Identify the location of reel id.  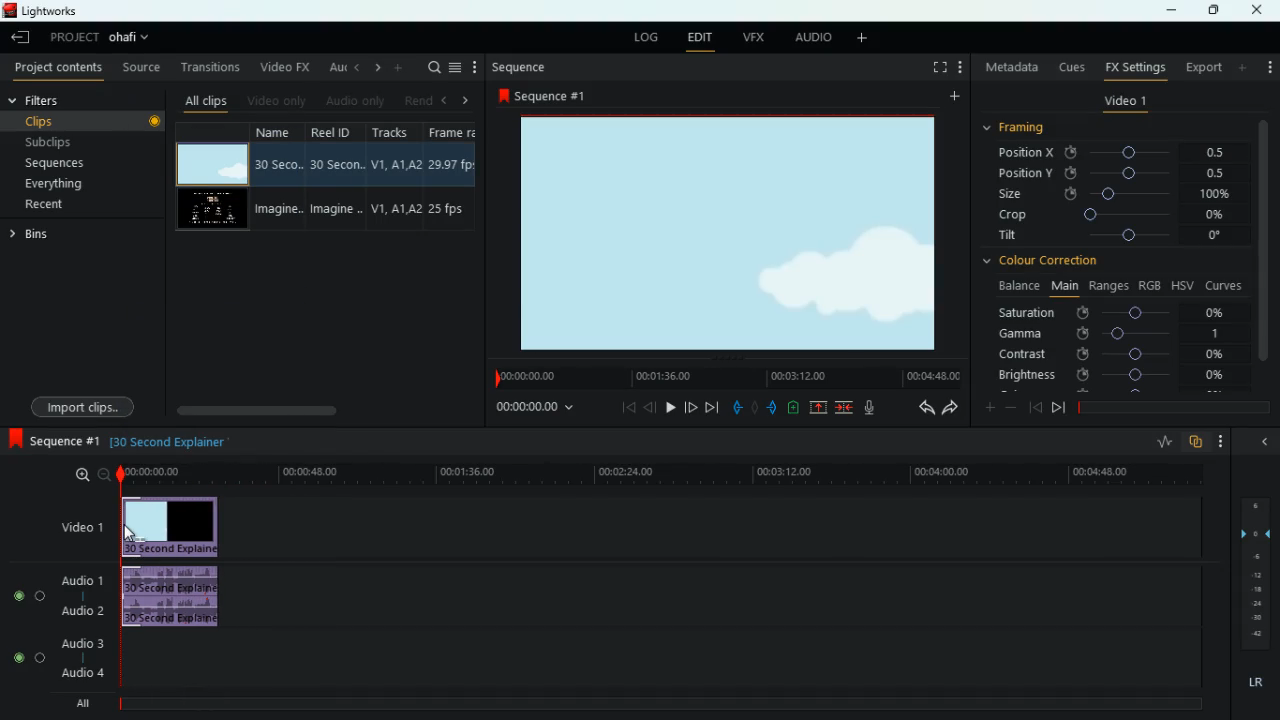
(334, 179).